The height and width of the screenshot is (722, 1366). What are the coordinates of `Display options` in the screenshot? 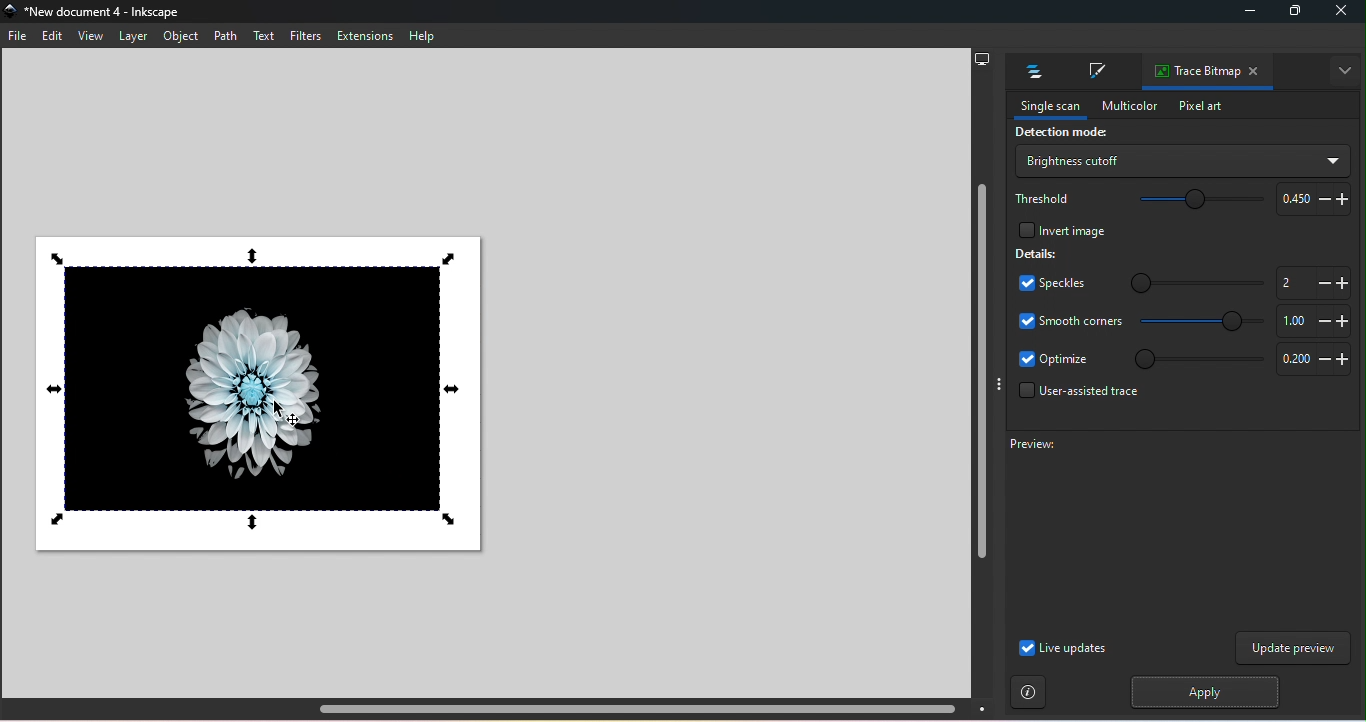 It's located at (982, 57).